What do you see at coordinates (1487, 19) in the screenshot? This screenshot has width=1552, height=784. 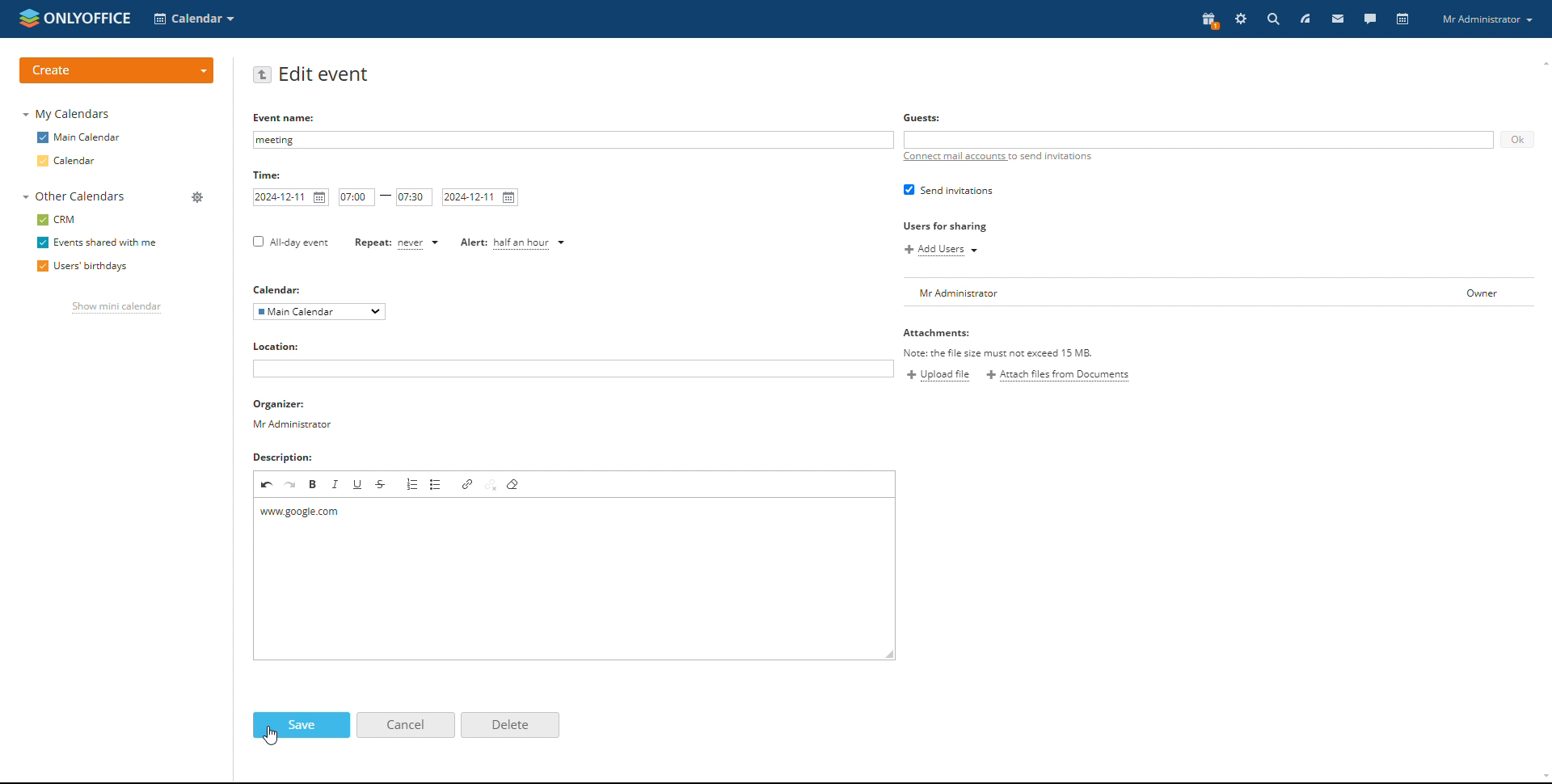 I see `profile` at bounding box center [1487, 19].